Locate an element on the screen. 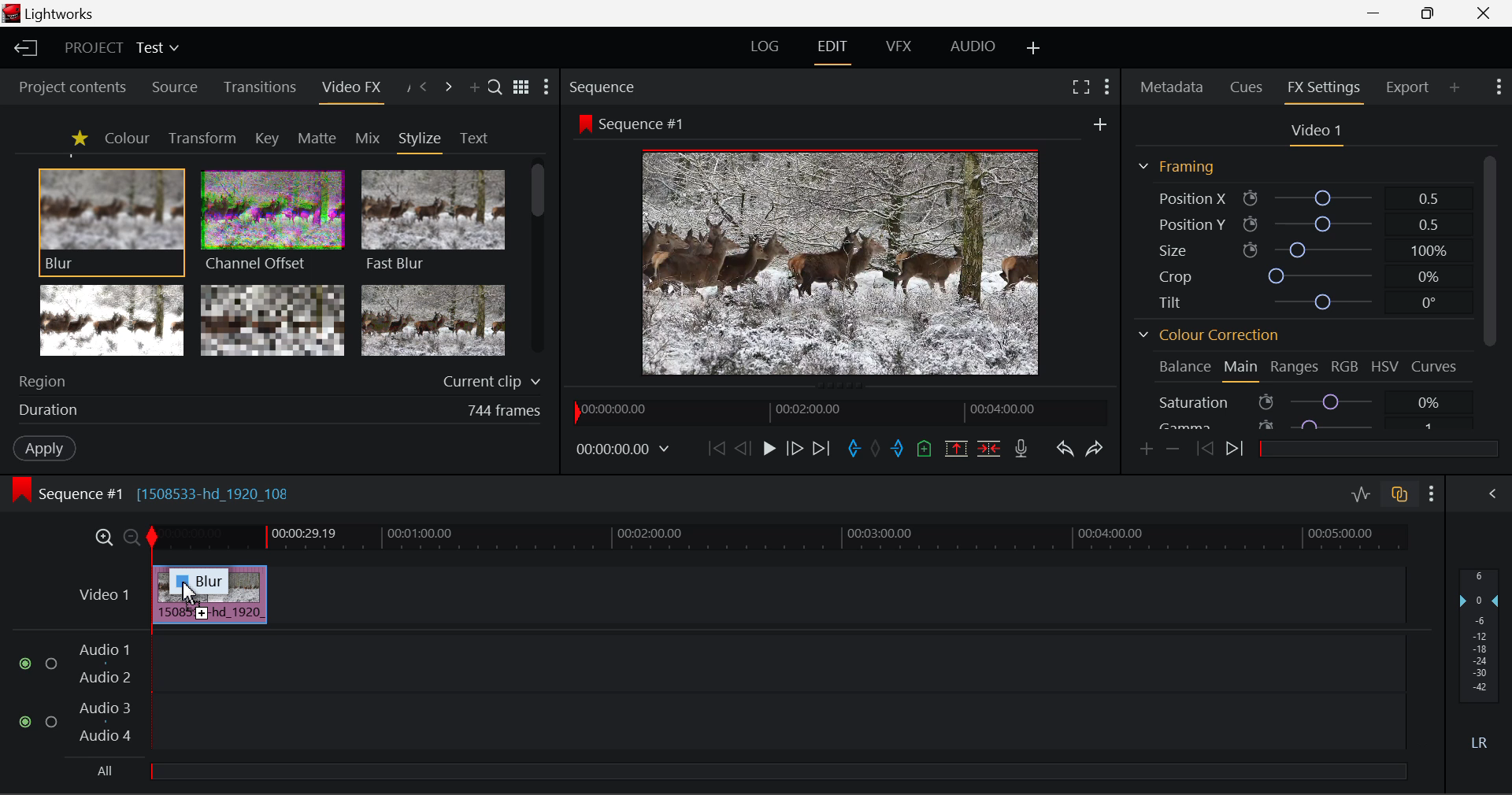 The width and height of the screenshot is (1512, 795). Curves is located at coordinates (1436, 368).